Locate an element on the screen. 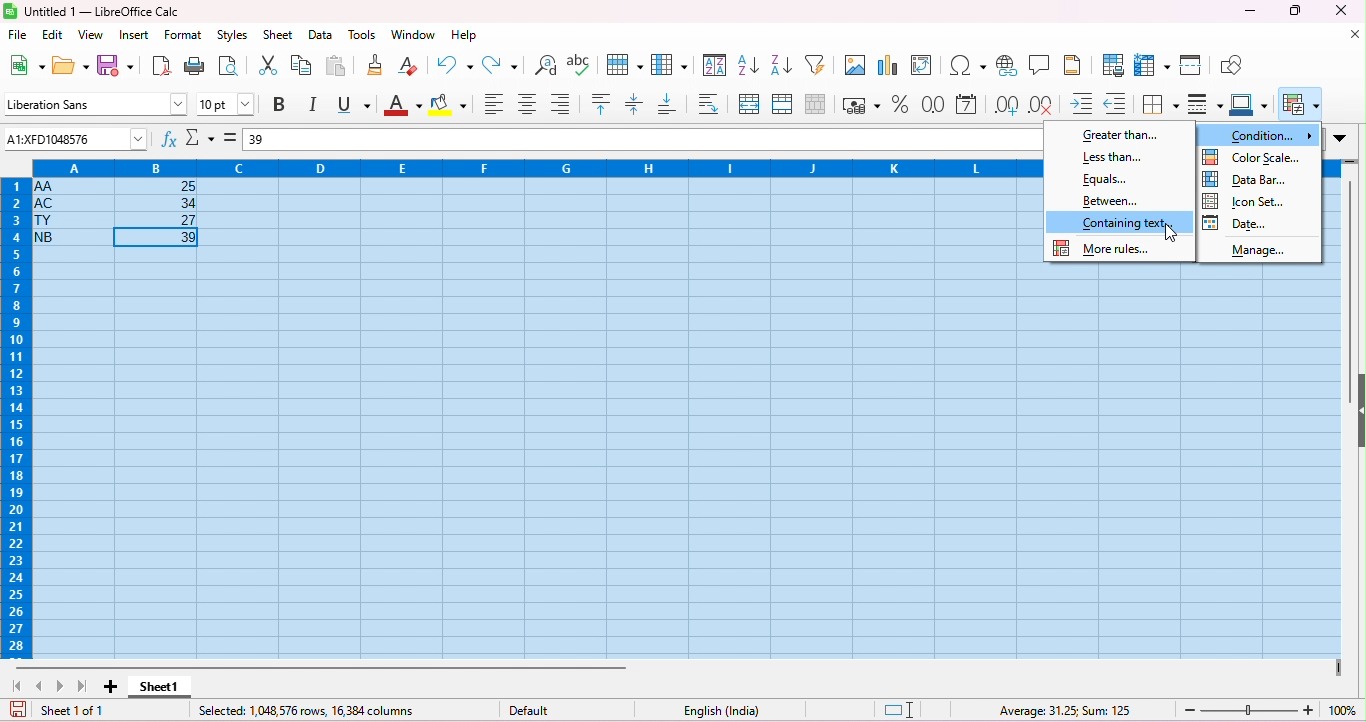 Image resolution: width=1366 pixels, height=722 pixels. unmerge is located at coordinates (813, 103).